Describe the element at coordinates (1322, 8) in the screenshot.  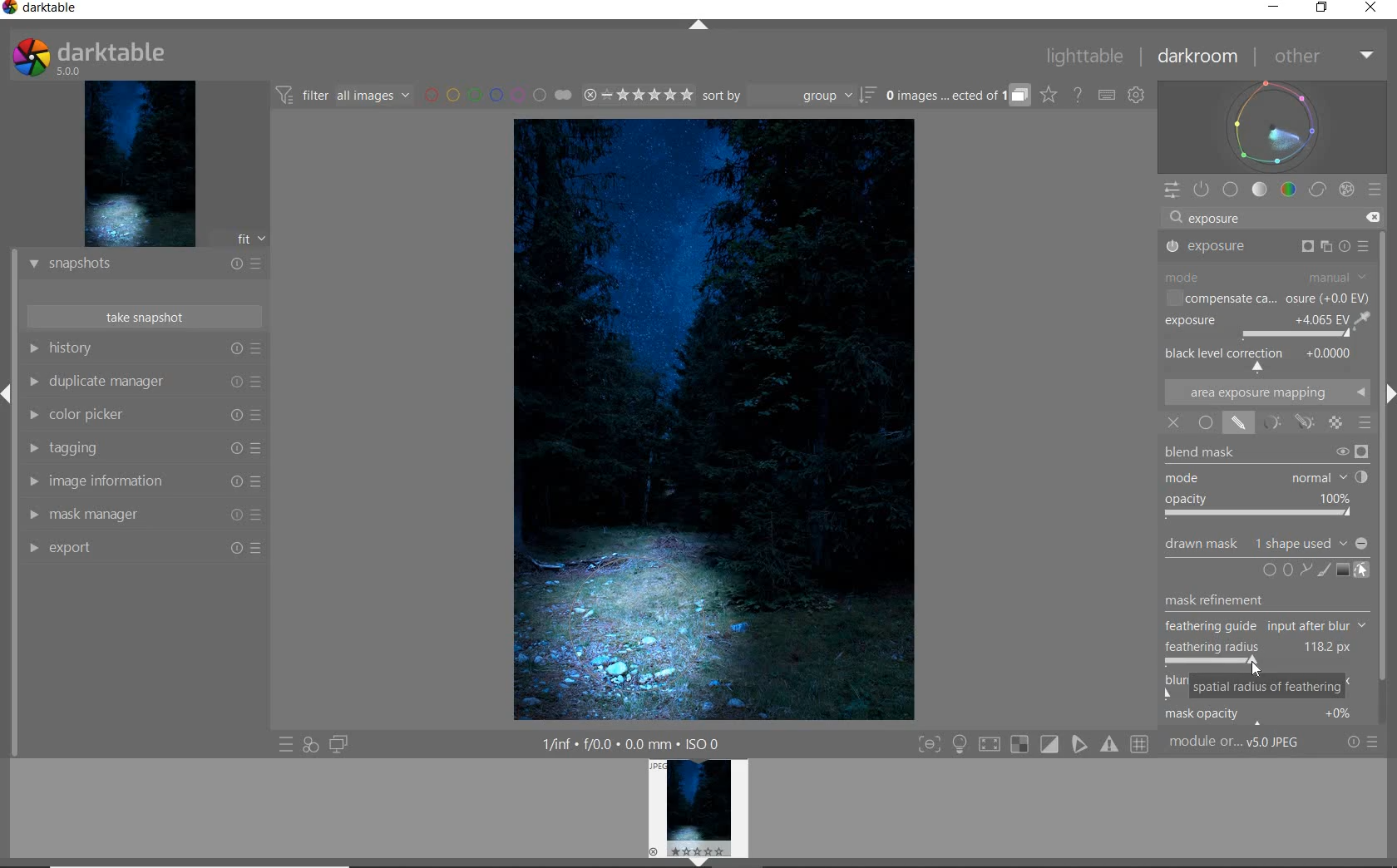
I see `RESTORE` at that location.